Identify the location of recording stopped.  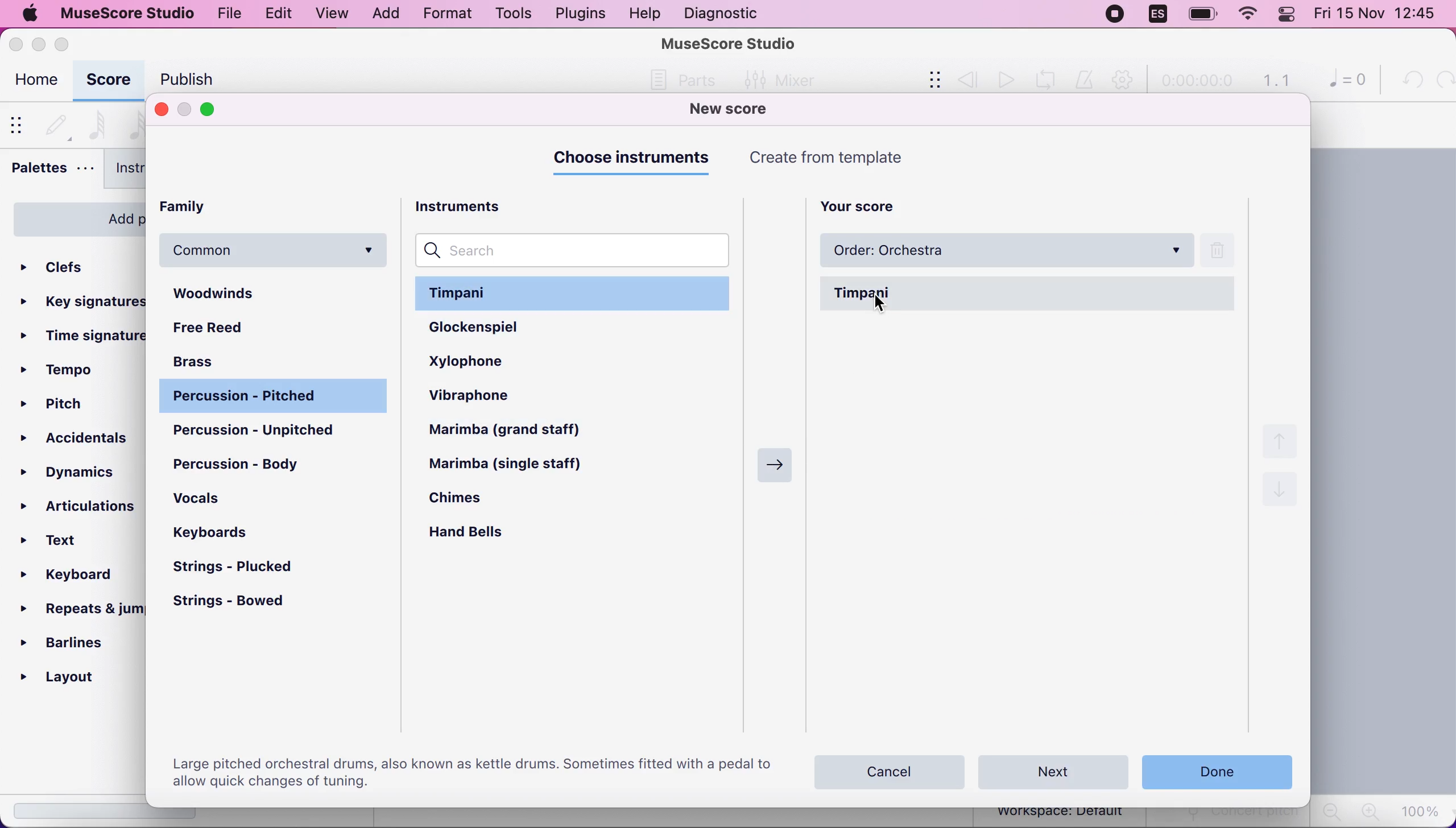
(1114, 14).